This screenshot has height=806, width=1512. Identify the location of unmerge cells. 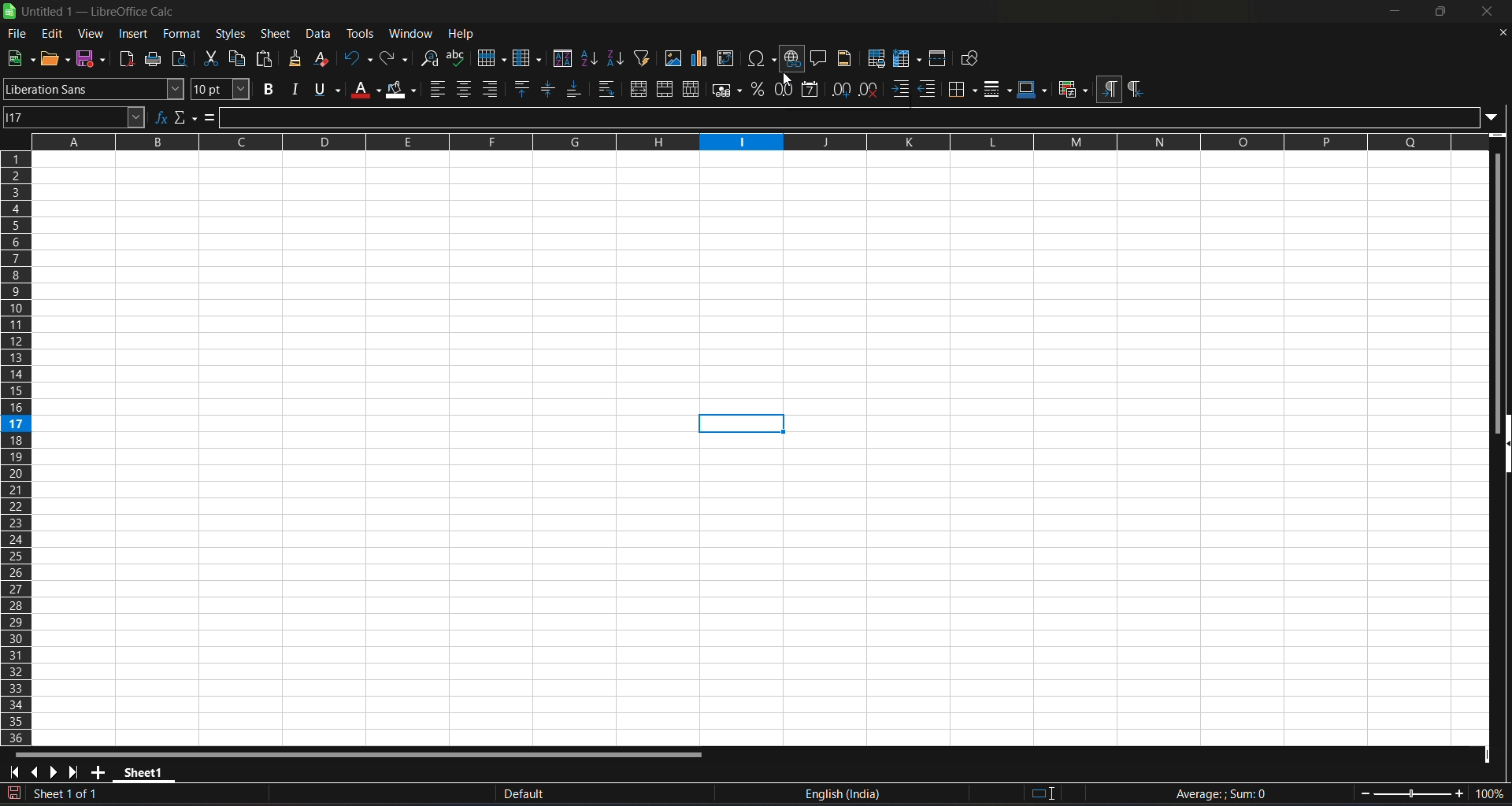
(692, 89).